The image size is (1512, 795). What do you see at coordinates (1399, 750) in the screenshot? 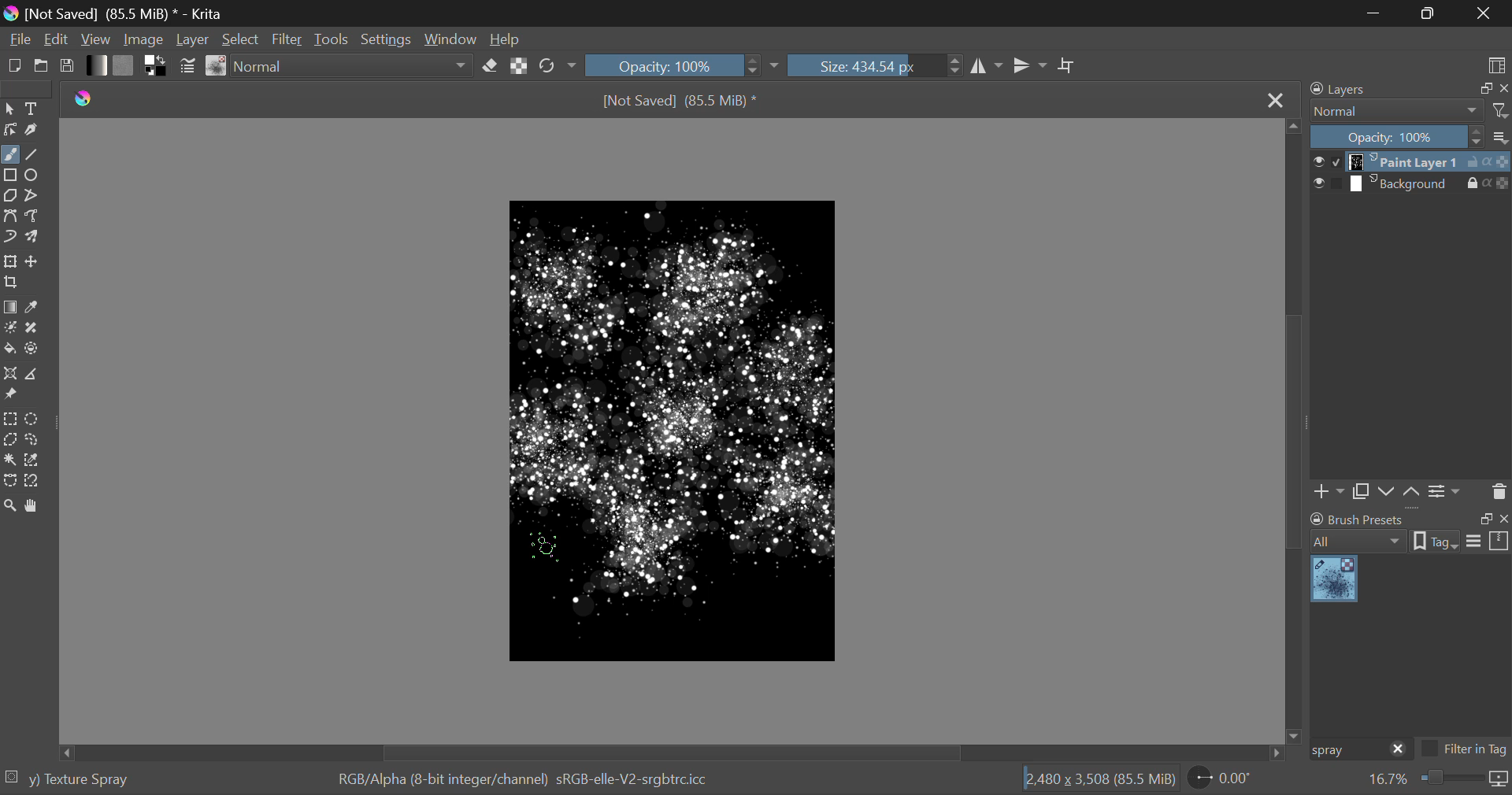
I see `close` at bounding box center [1399, 750].